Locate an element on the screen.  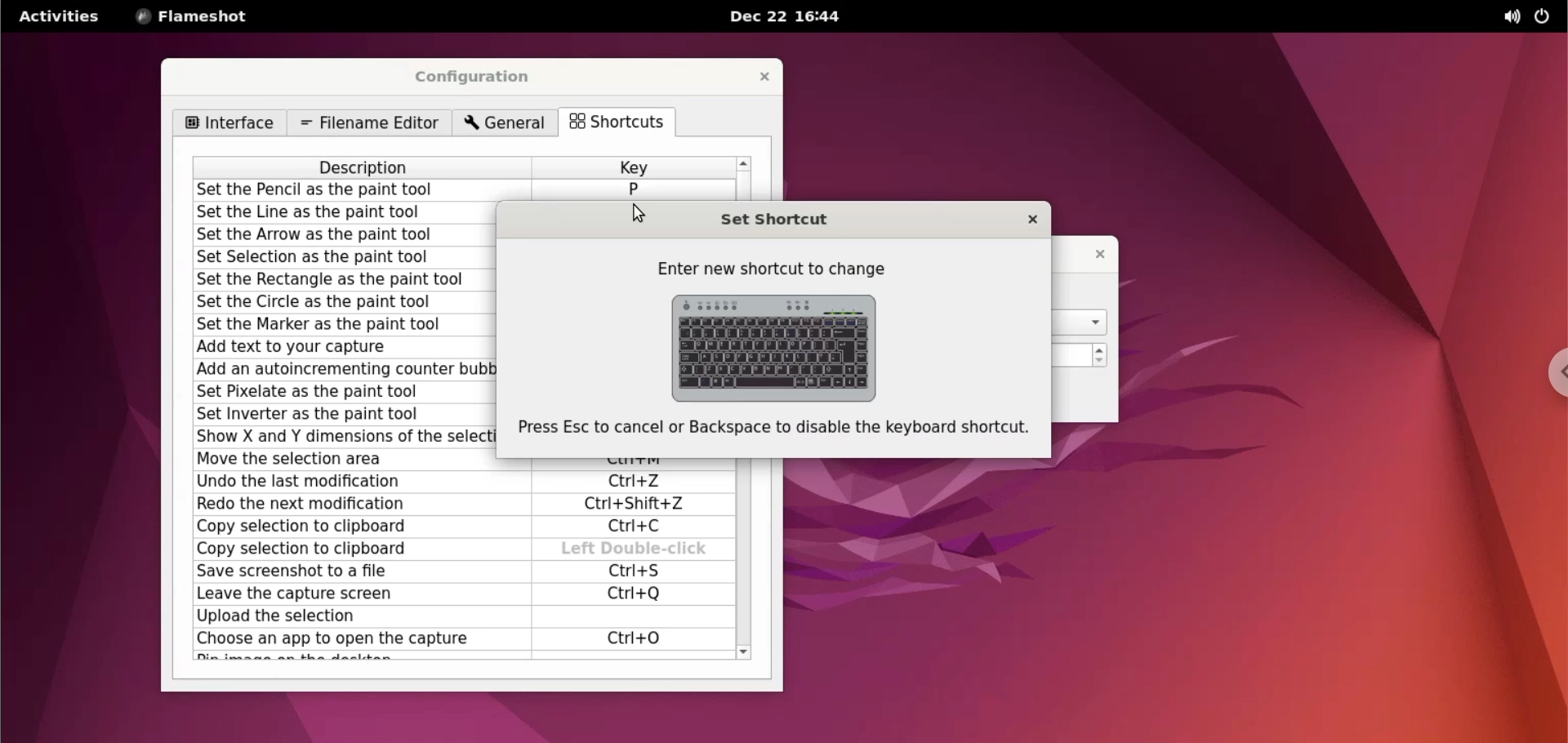
Ctrl + Q is located at coordinates (635, 593).